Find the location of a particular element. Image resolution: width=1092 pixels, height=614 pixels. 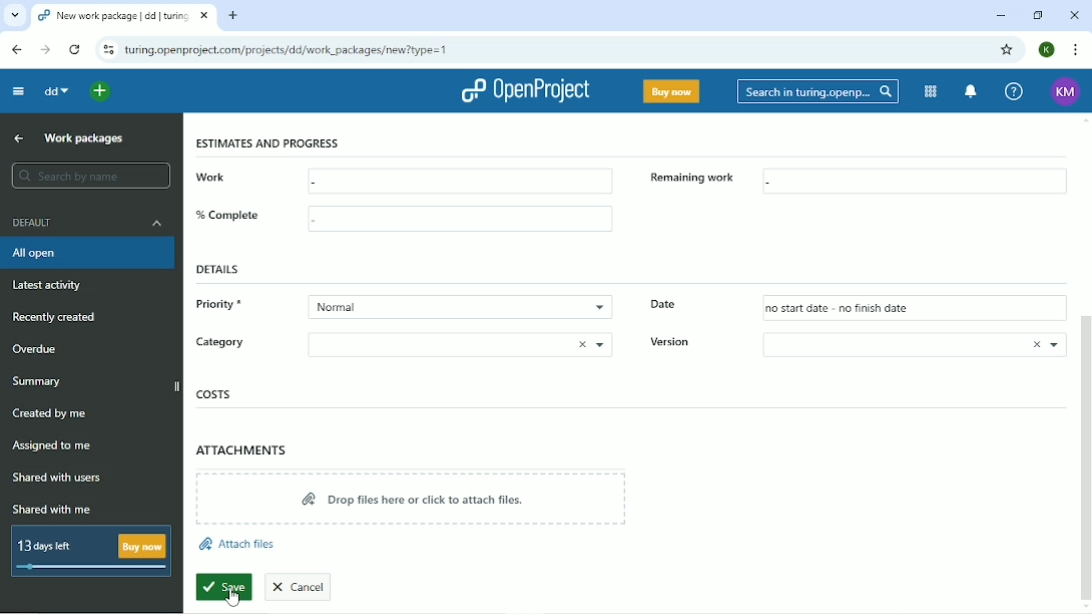

Shared with users is located at coordinates (60, 477).